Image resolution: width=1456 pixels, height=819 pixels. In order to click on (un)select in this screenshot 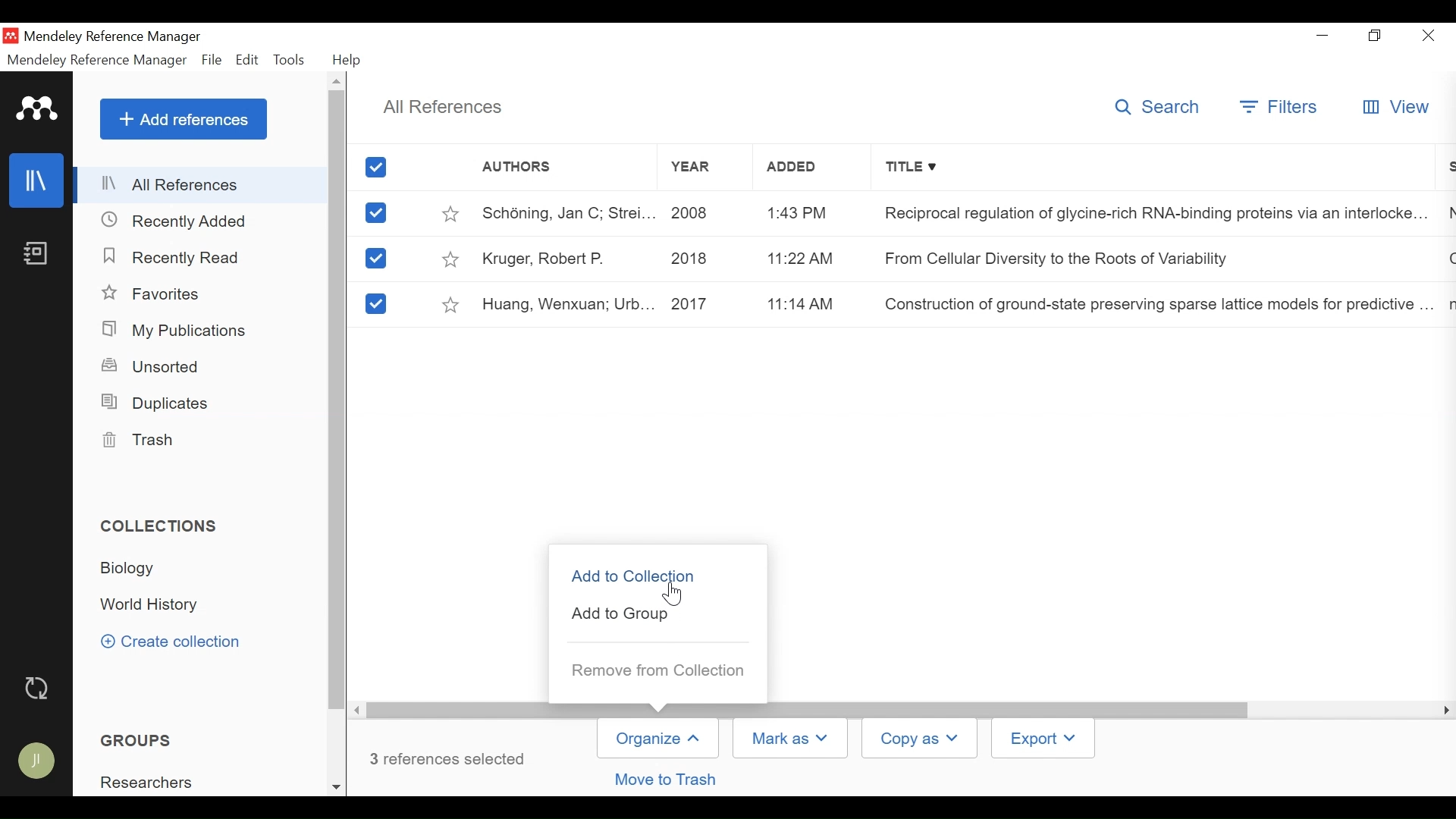, I will do `click(375, 259)`.